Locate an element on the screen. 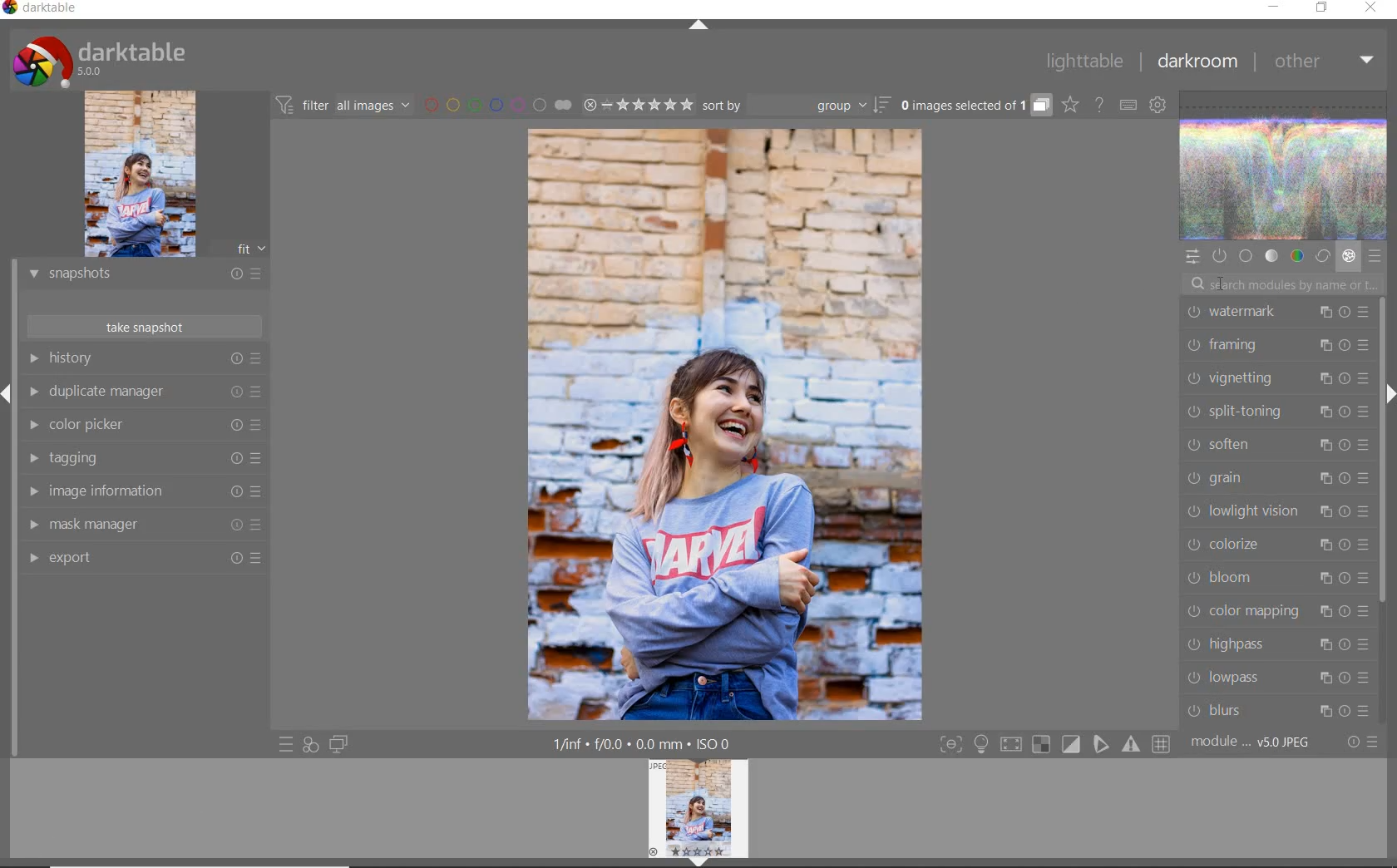 This screenshot has width=1397, height=868. other is located at coordinates (1323, 65).